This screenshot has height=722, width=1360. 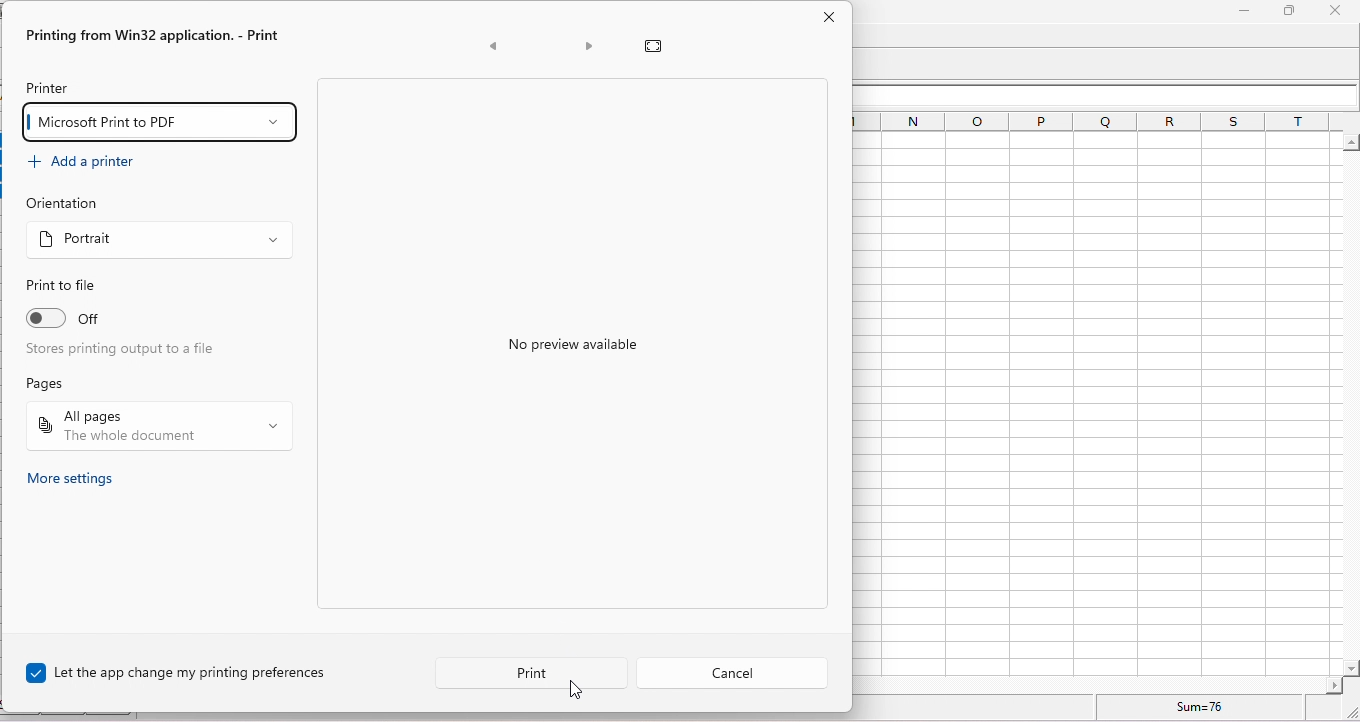 What do you see at coordinates (46, 318) in the screenshot?
I see `toggle on/off` at bounding box center [46, 318].